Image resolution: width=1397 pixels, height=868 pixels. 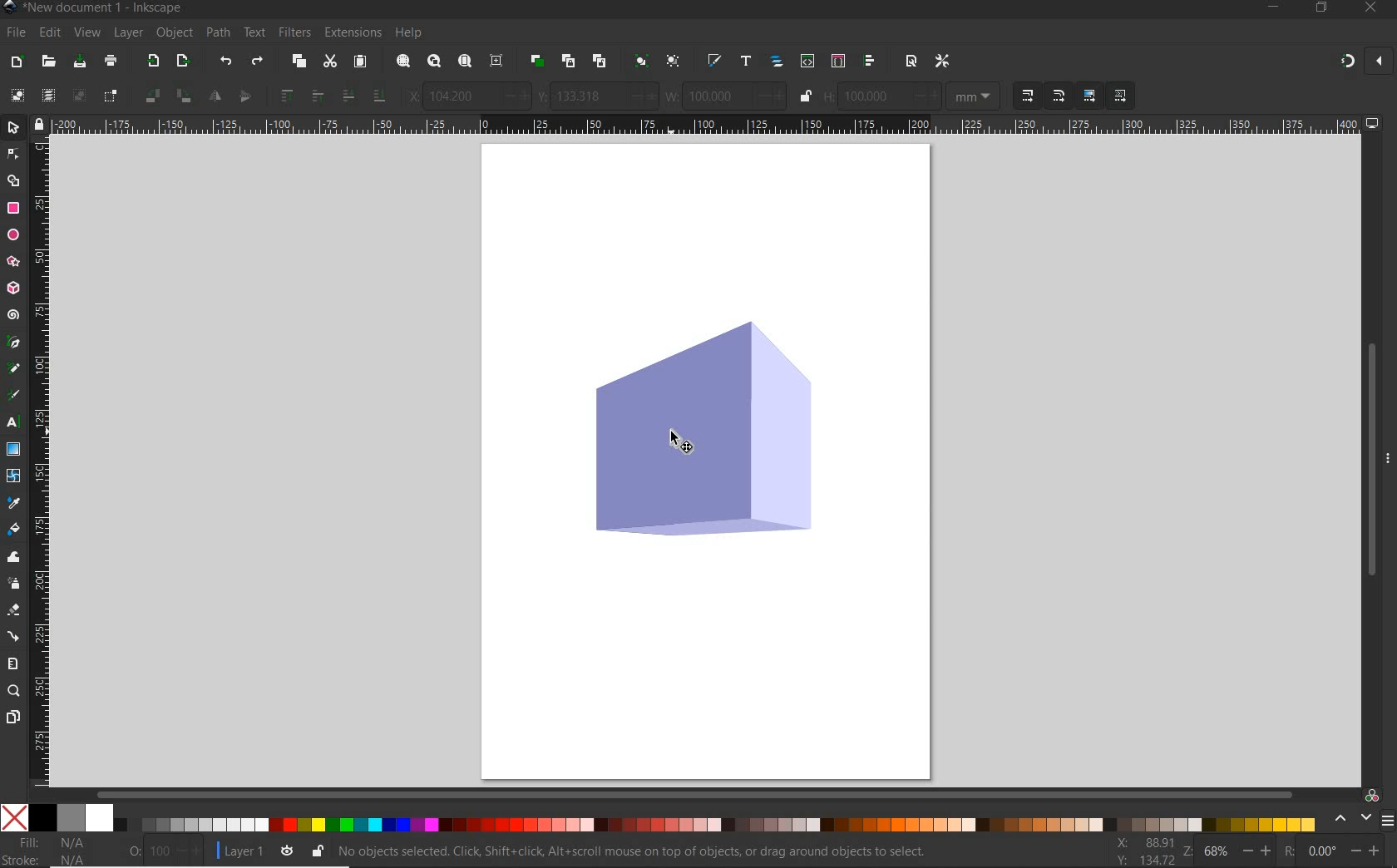 What do you see at coordinates (1258, 851) in the screenshot?
I see `increase/decrease` at bounding box center [1258, 851].